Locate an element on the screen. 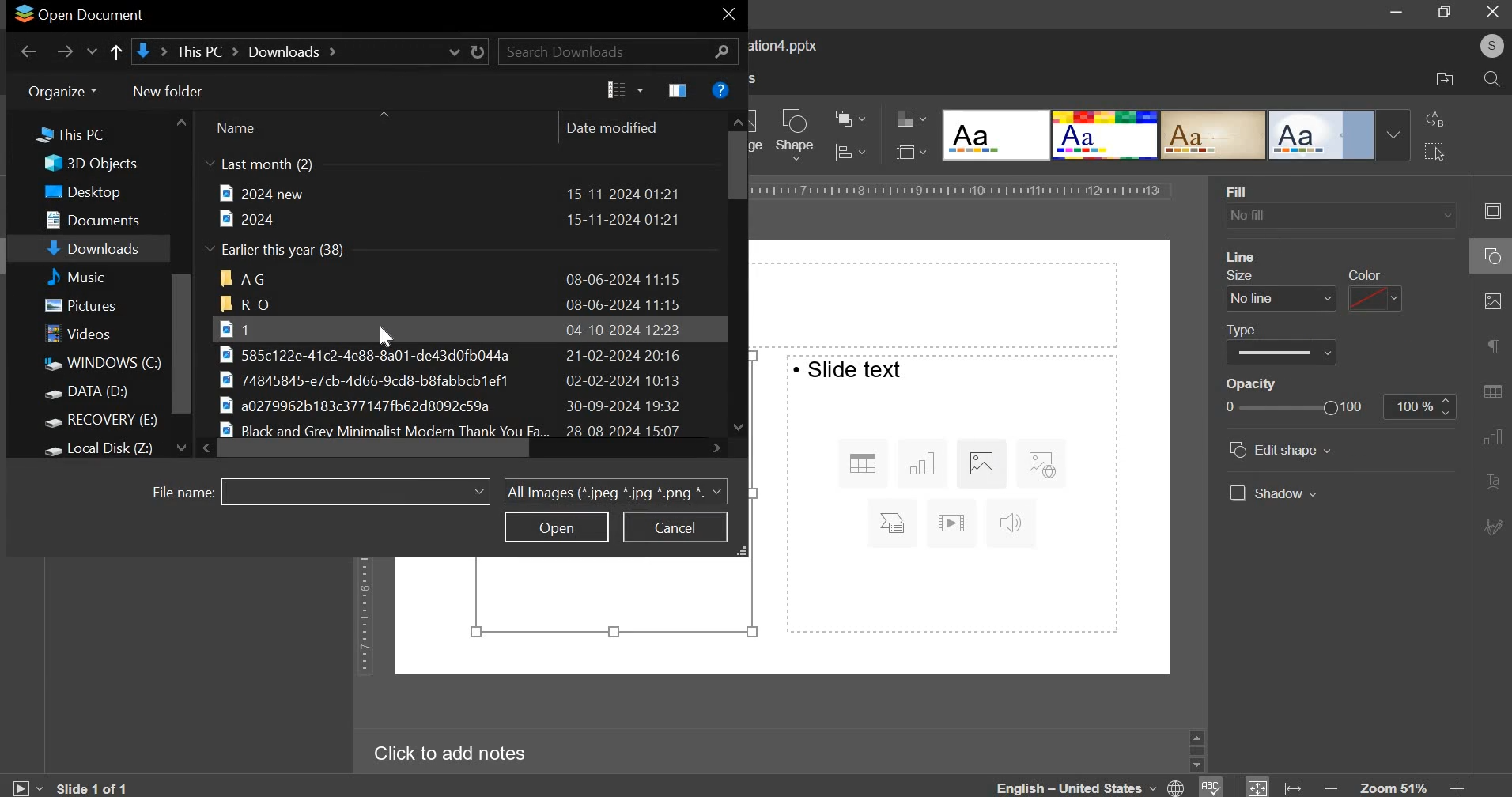 The image size is (1512, 797). decrease zoom is located at coordinates (1334, 788).